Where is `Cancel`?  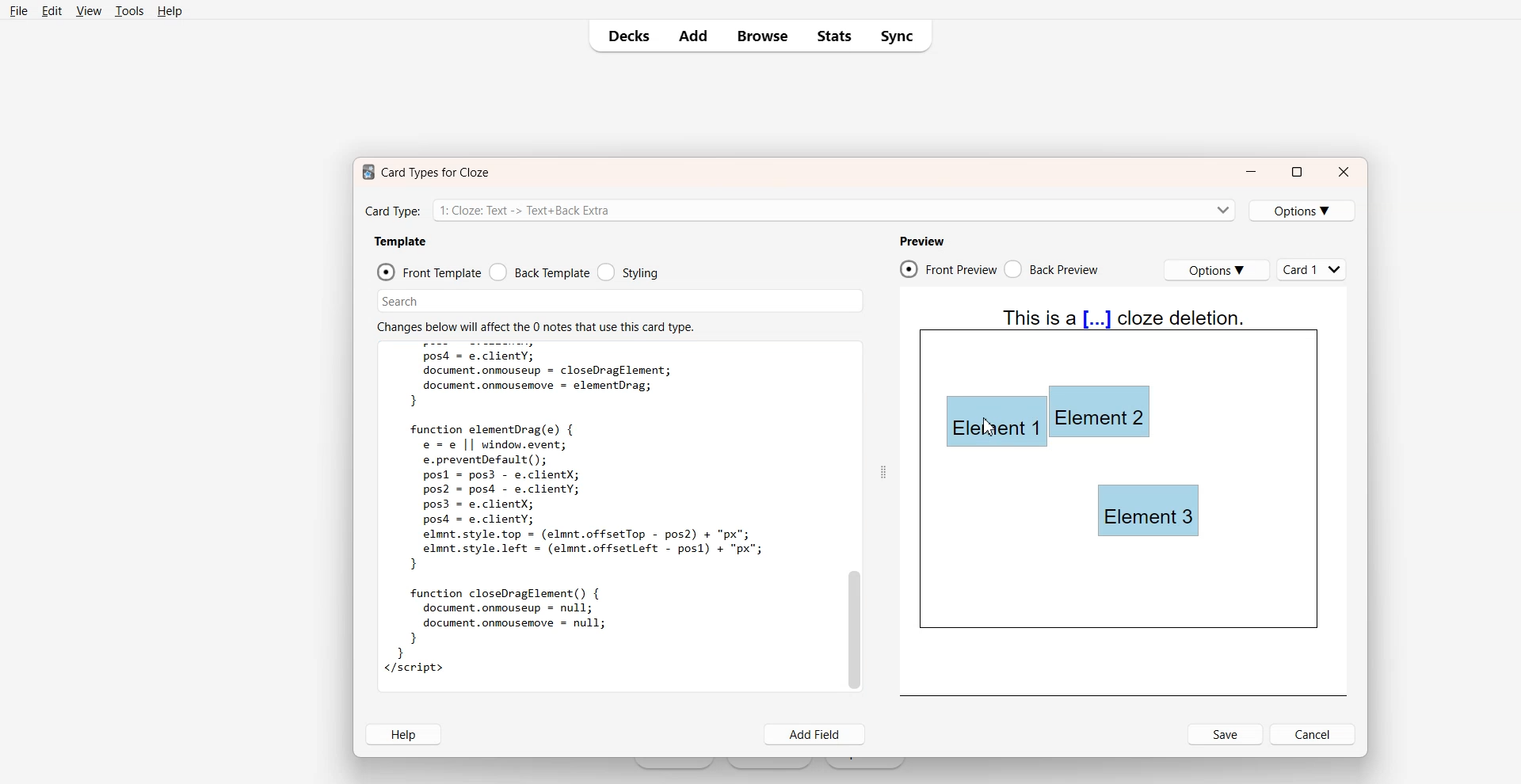 Cancel is located at coordinates (1314, 734).